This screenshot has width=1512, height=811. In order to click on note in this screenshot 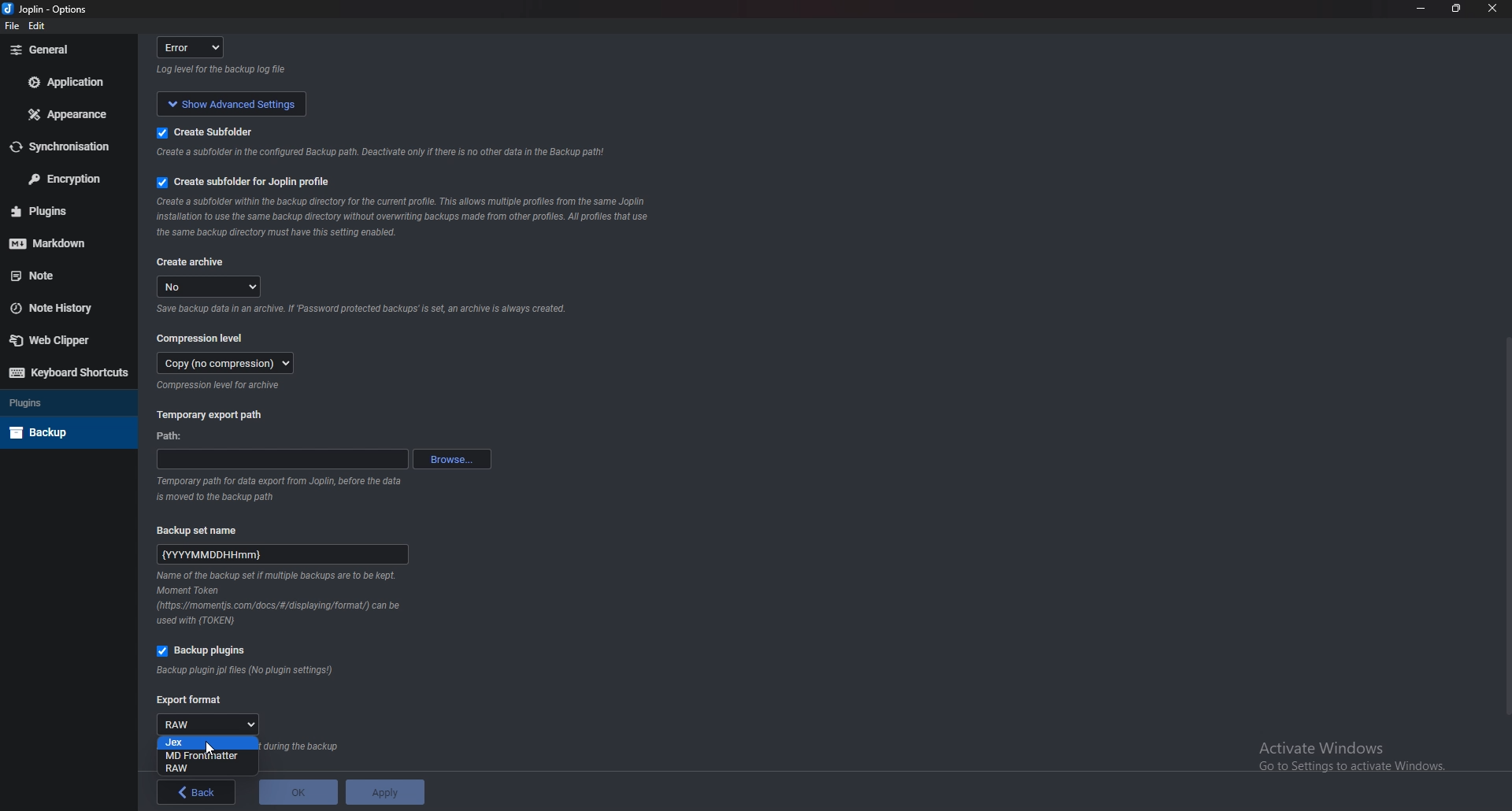, I will do `click(65, 275)`.